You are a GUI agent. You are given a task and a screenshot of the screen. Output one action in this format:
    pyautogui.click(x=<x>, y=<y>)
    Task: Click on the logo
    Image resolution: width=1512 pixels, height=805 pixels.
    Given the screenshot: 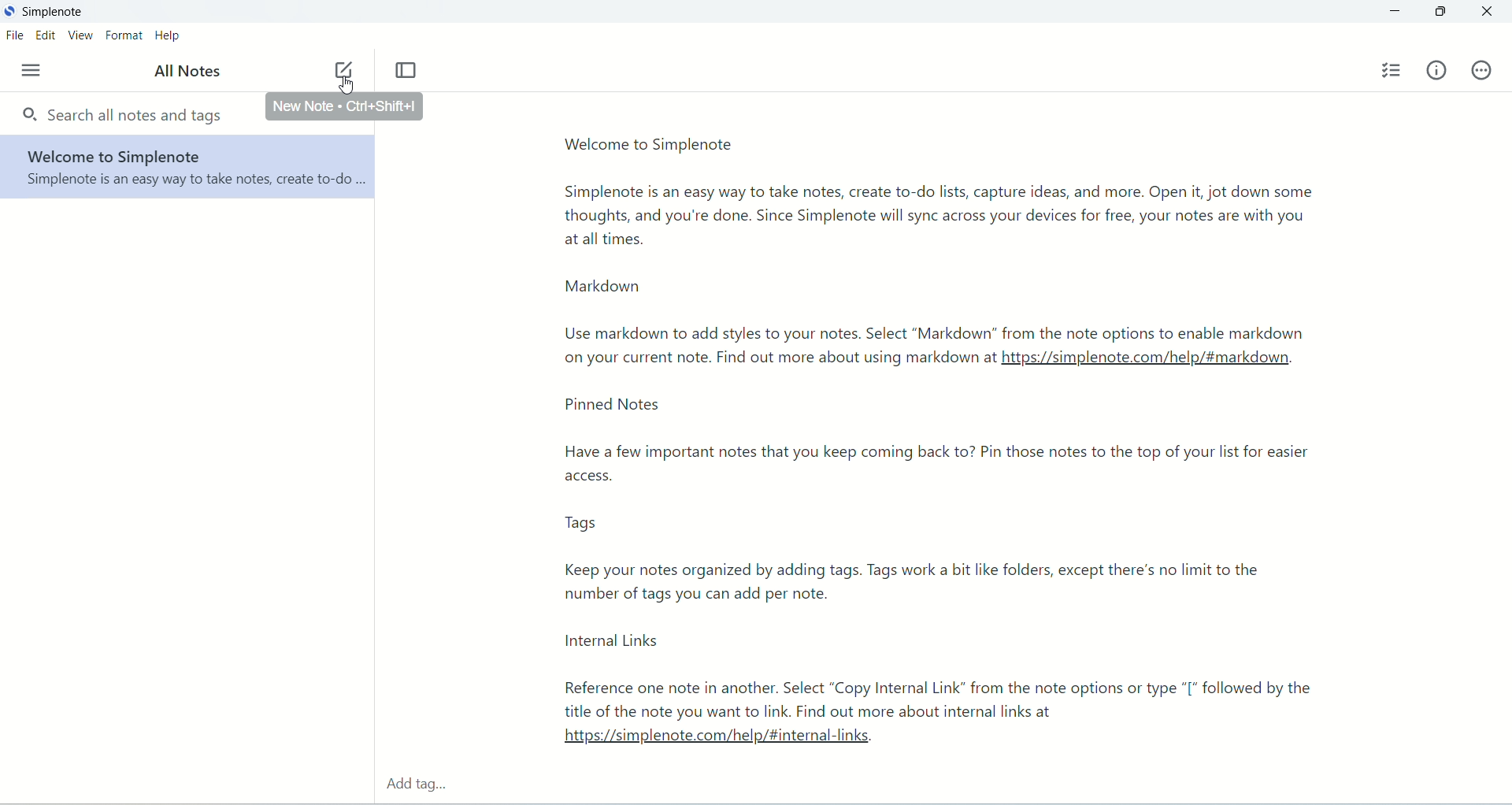 What is the action you would take?
    pyautogui.click(x=10, y=11)
    